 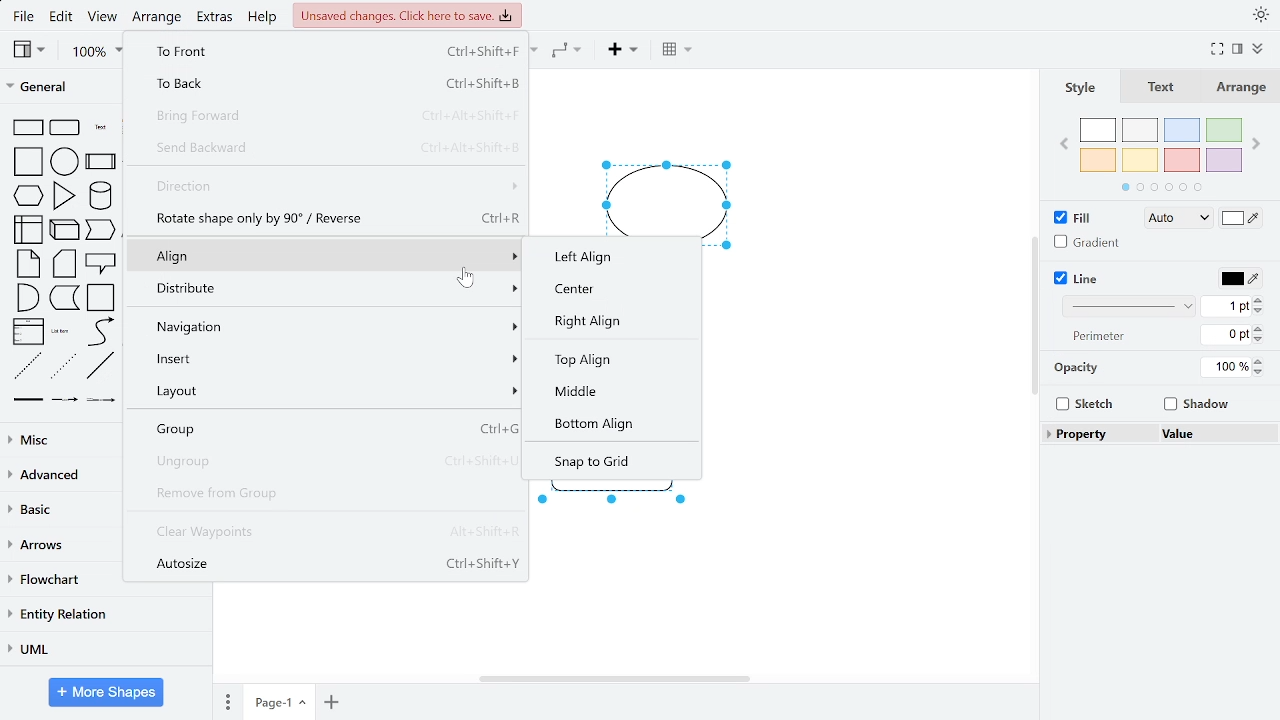 I want to click on clear waypoints, so click(x=330, y=531).